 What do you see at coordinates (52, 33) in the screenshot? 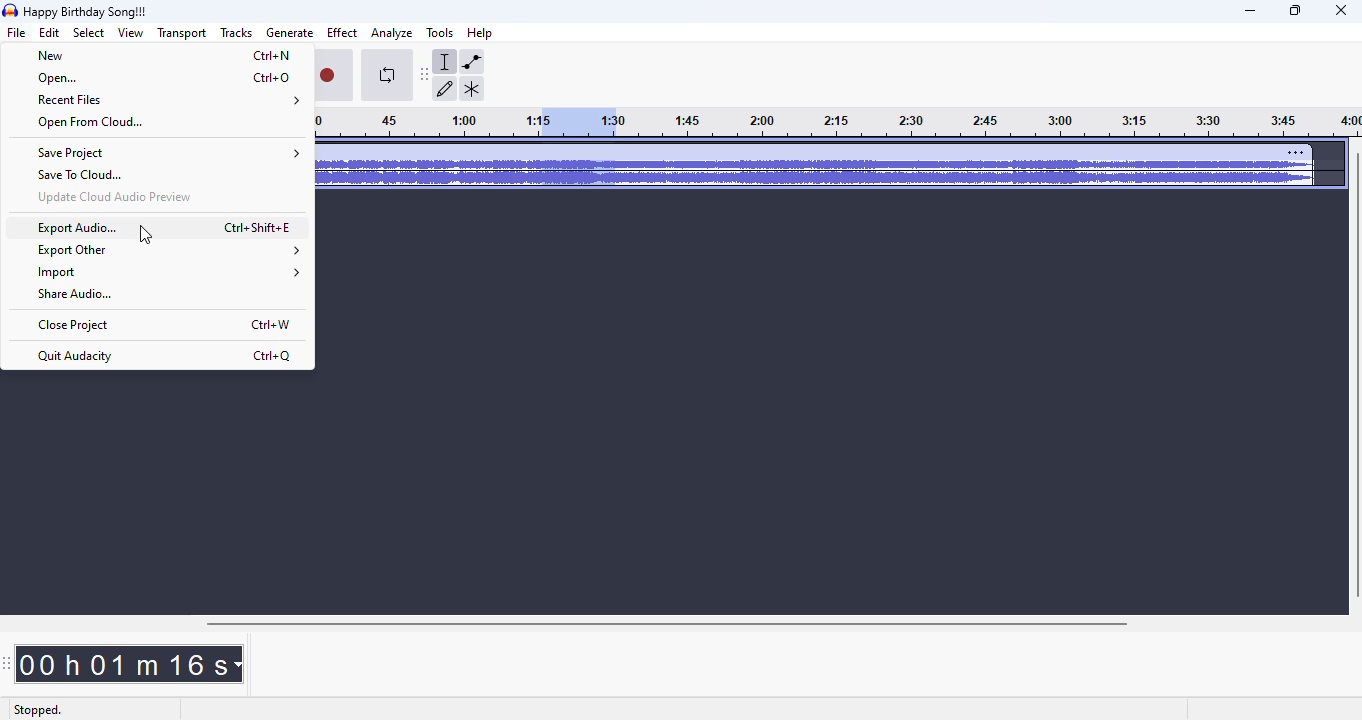
I see `edit` at bounding box center [52, 33].